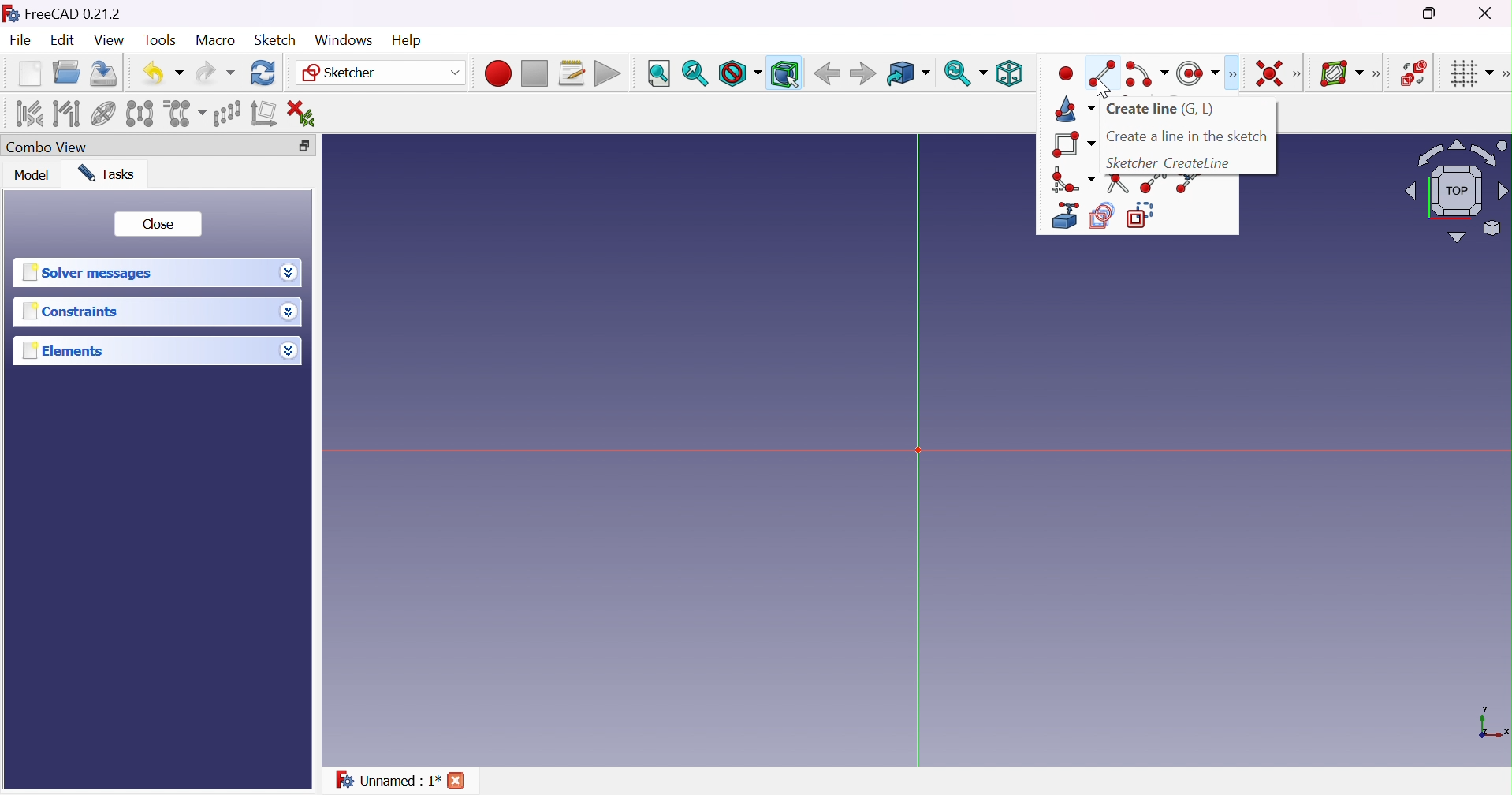 Image resolution: width=1512 pixels, height=795 pixels. What do you see at coordinates (907, 74) in the screenshot?
I see `Move in box` at bounding box center [907, 74].